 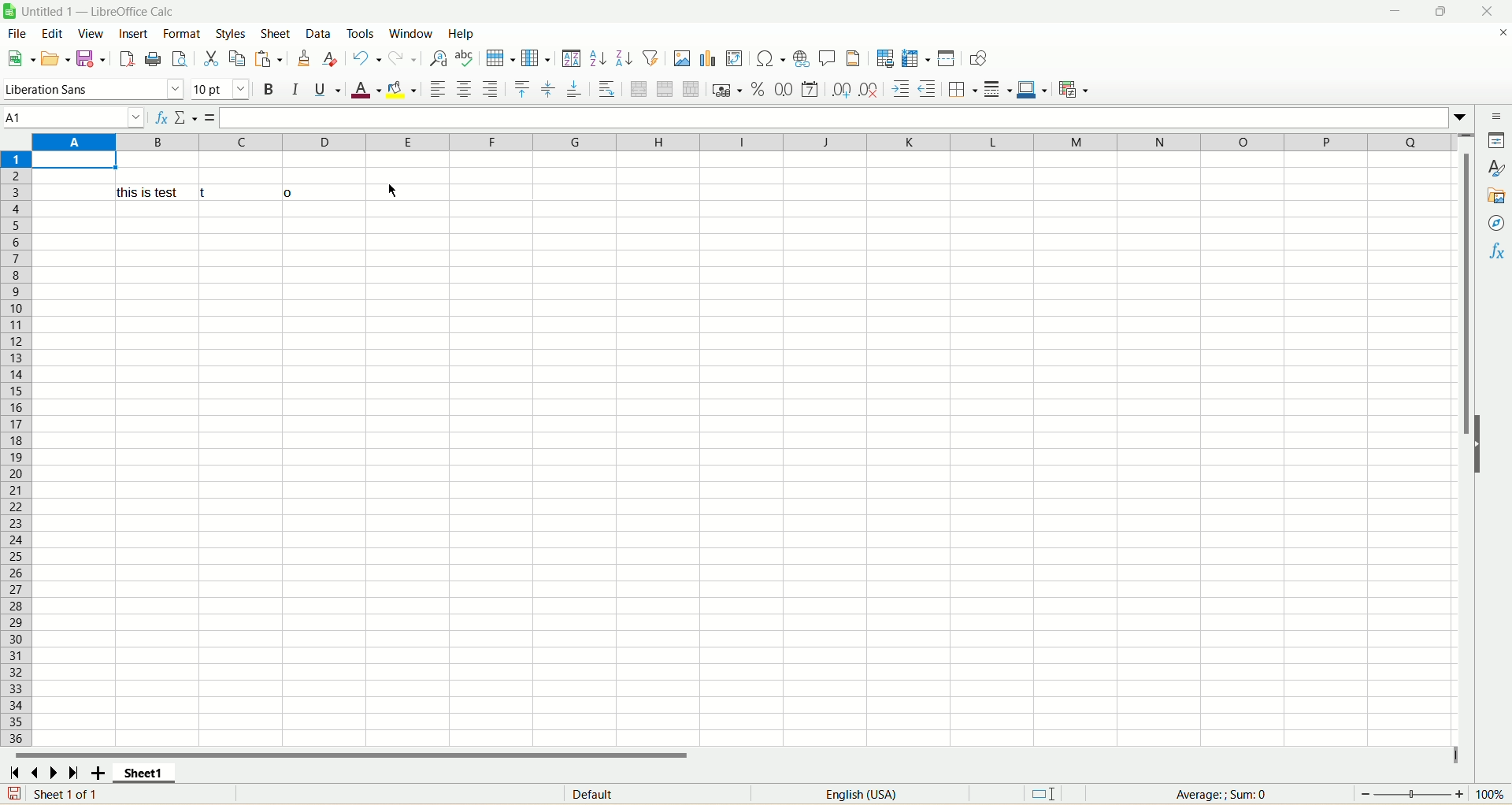 I want to click on align center, so click(x=463, y=87).